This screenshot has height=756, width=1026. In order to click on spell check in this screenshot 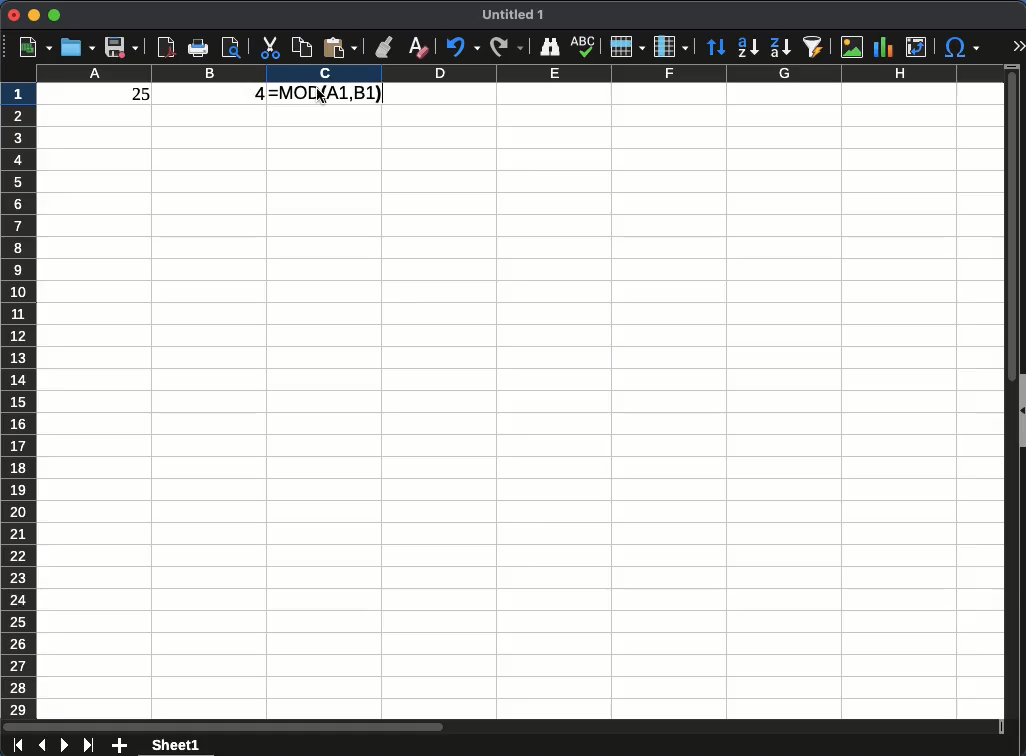, I will do `click(584, 47)`.